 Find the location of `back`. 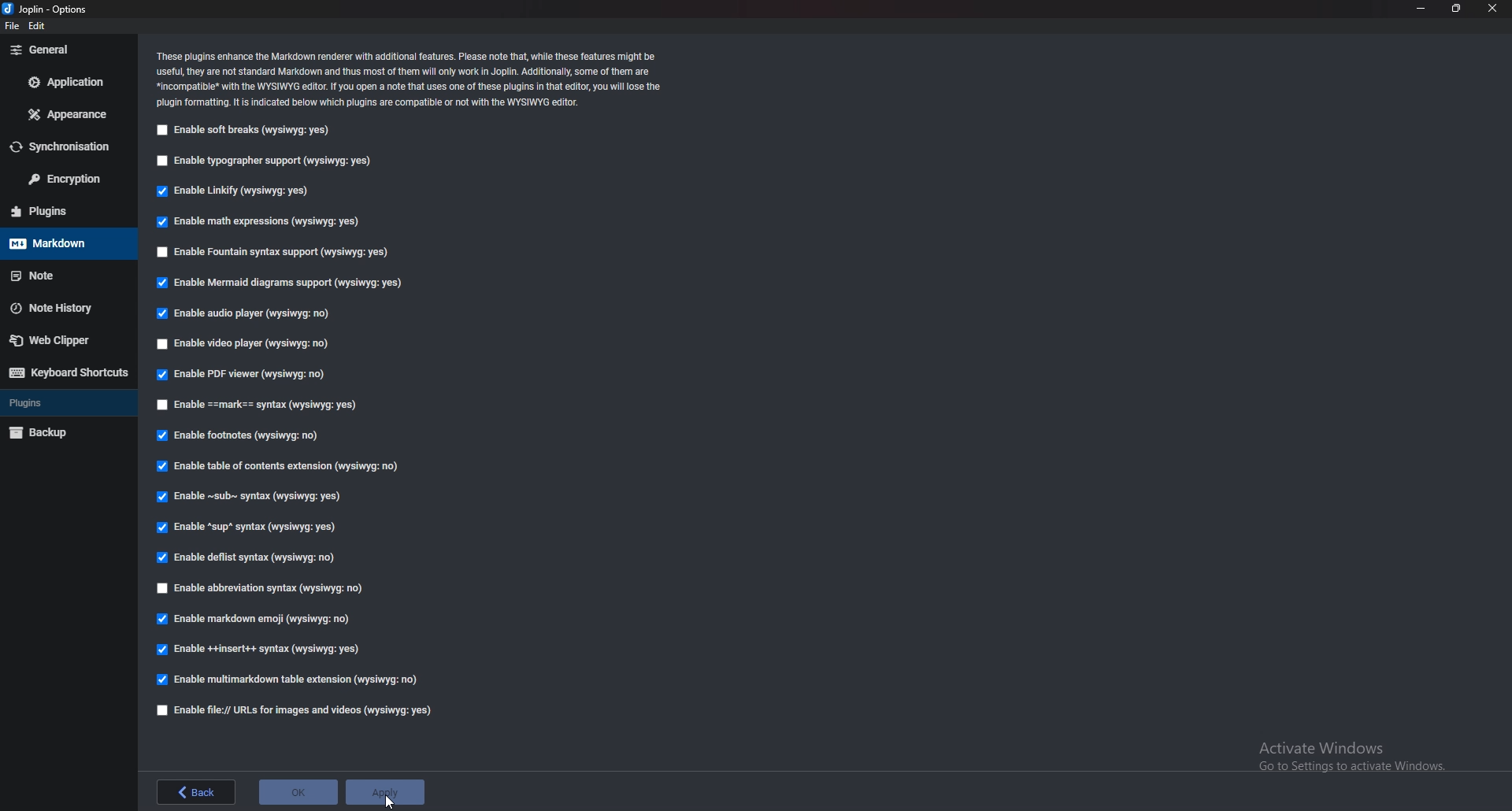

back is located at coordinates (195, 792).